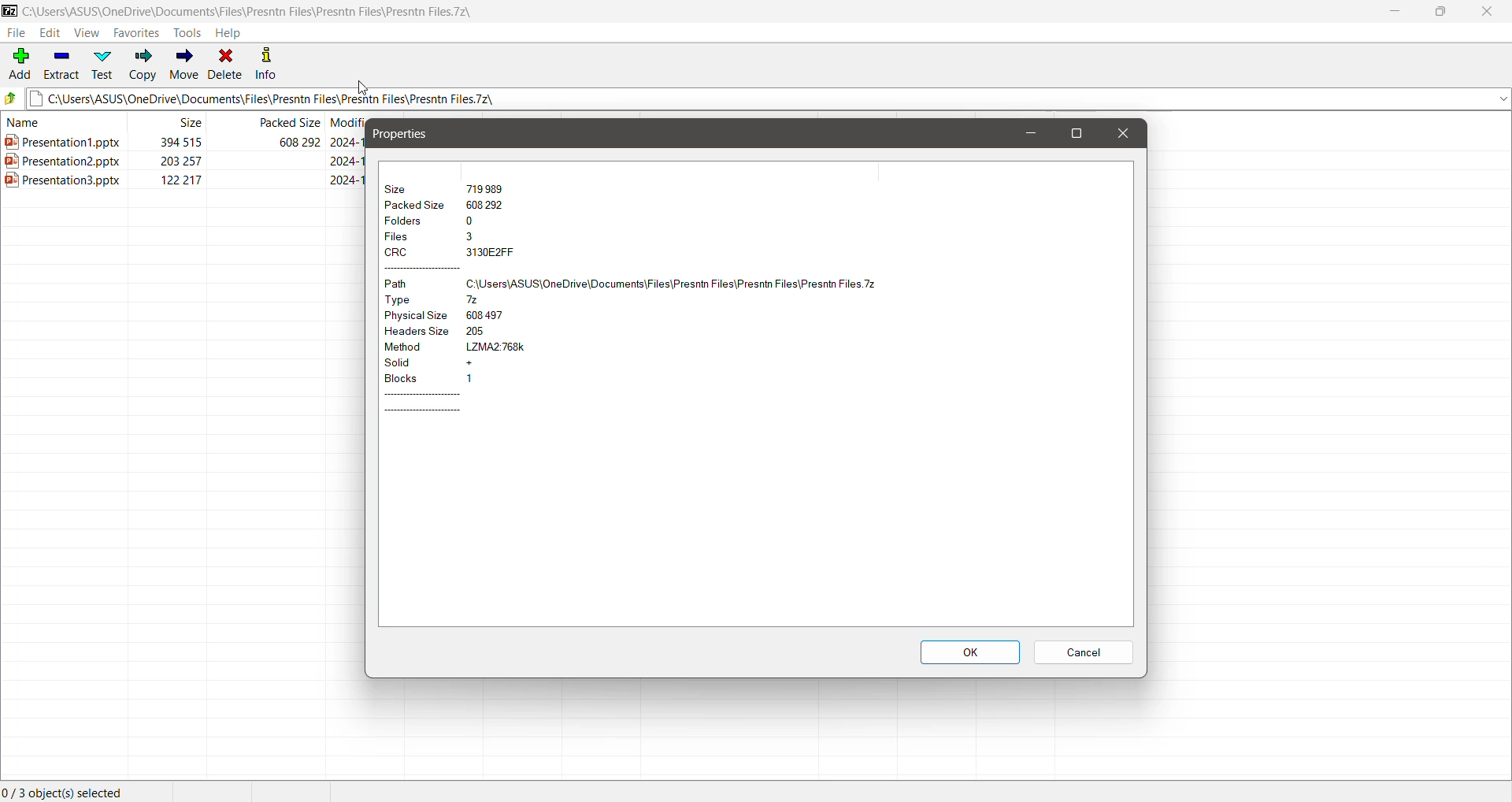  What do you see at coordinates (1080, 133) in the screenshot?
I see `Maximize` at bounding box center [1080, 133].